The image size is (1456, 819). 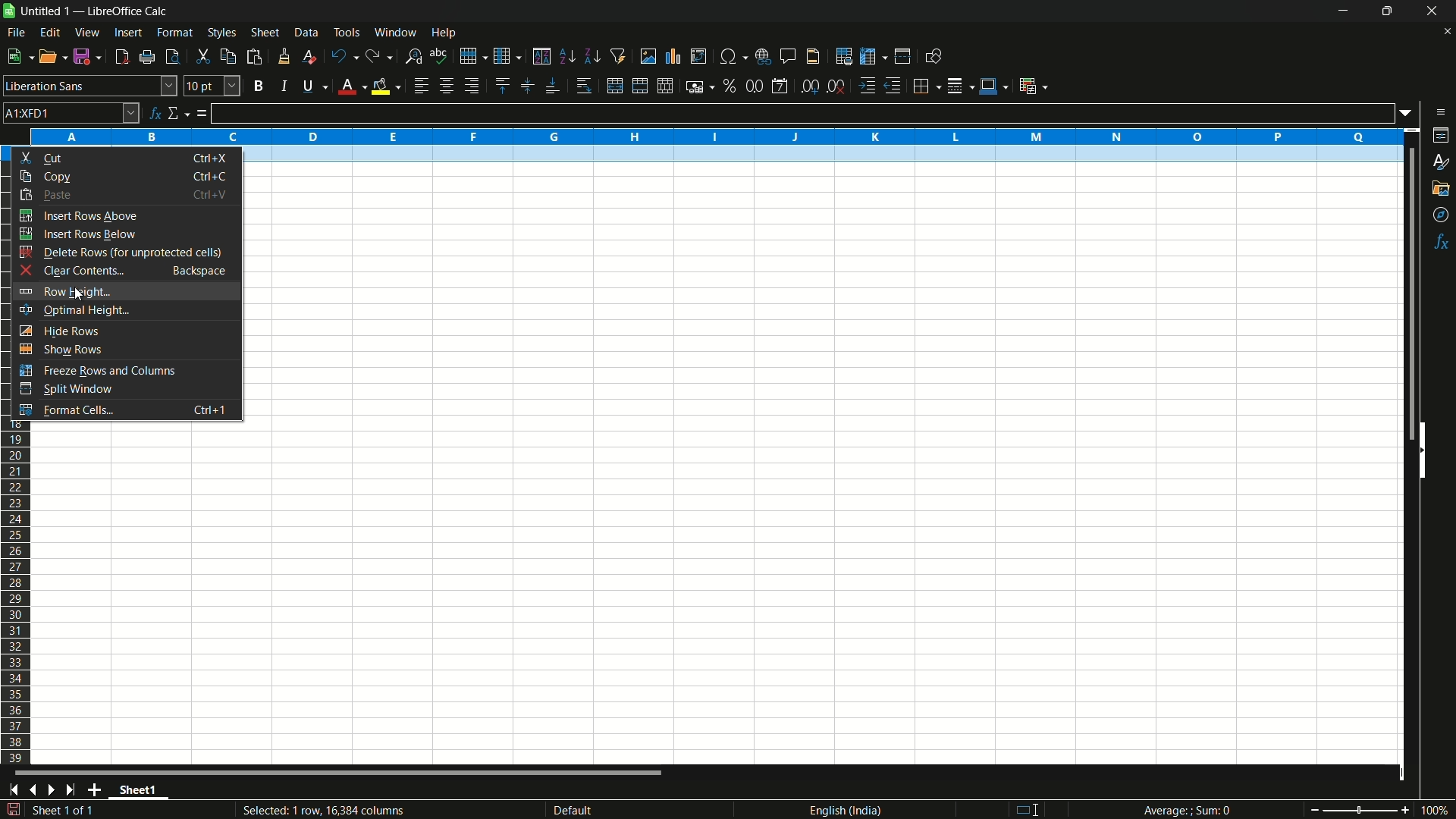 What do you see at coordinates (837, 86) in the screenshot?
I see `delete decimal place` at bounding box center [837, 86].